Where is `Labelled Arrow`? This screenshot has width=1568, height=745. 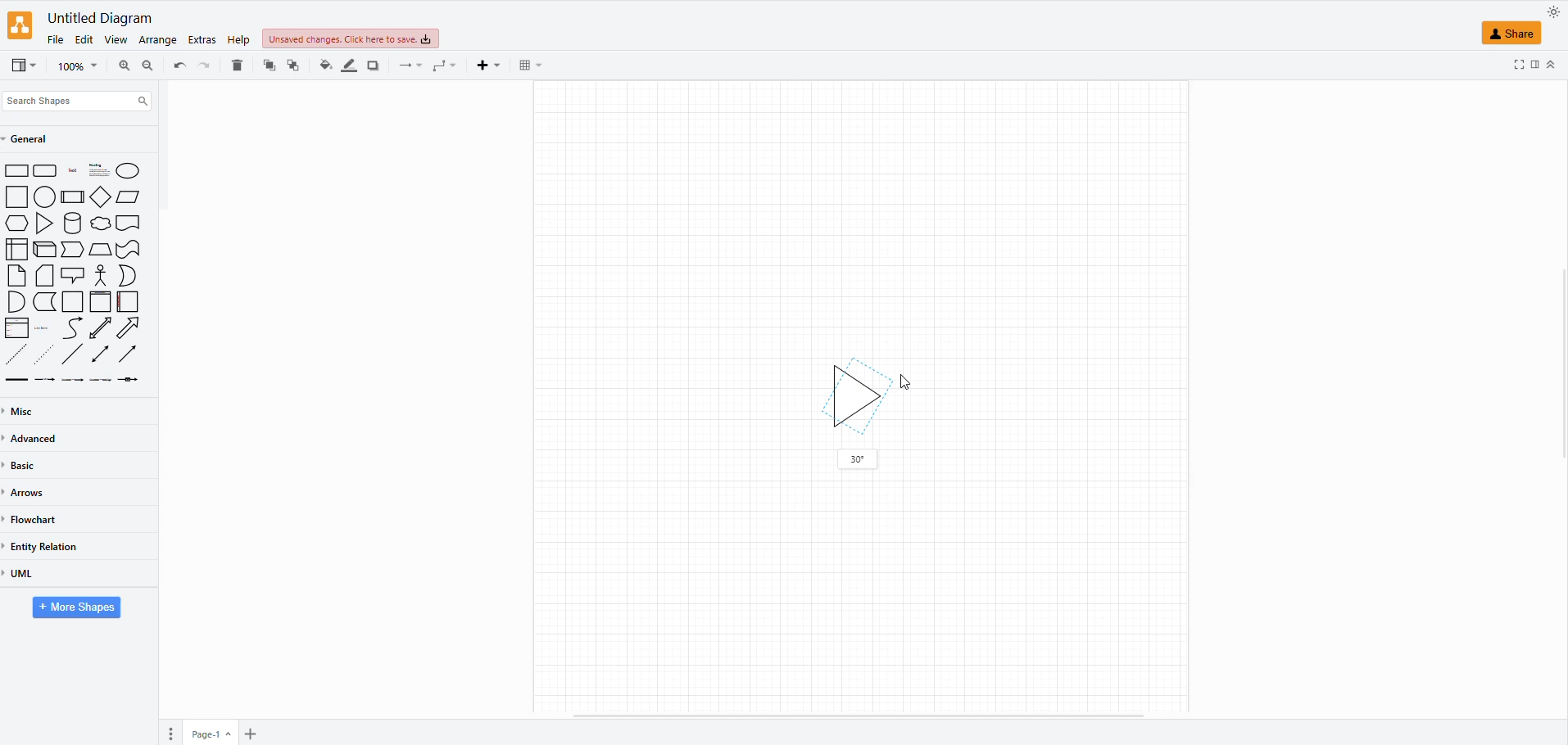 Labelled Arrow is located at coordinates (45, 381).